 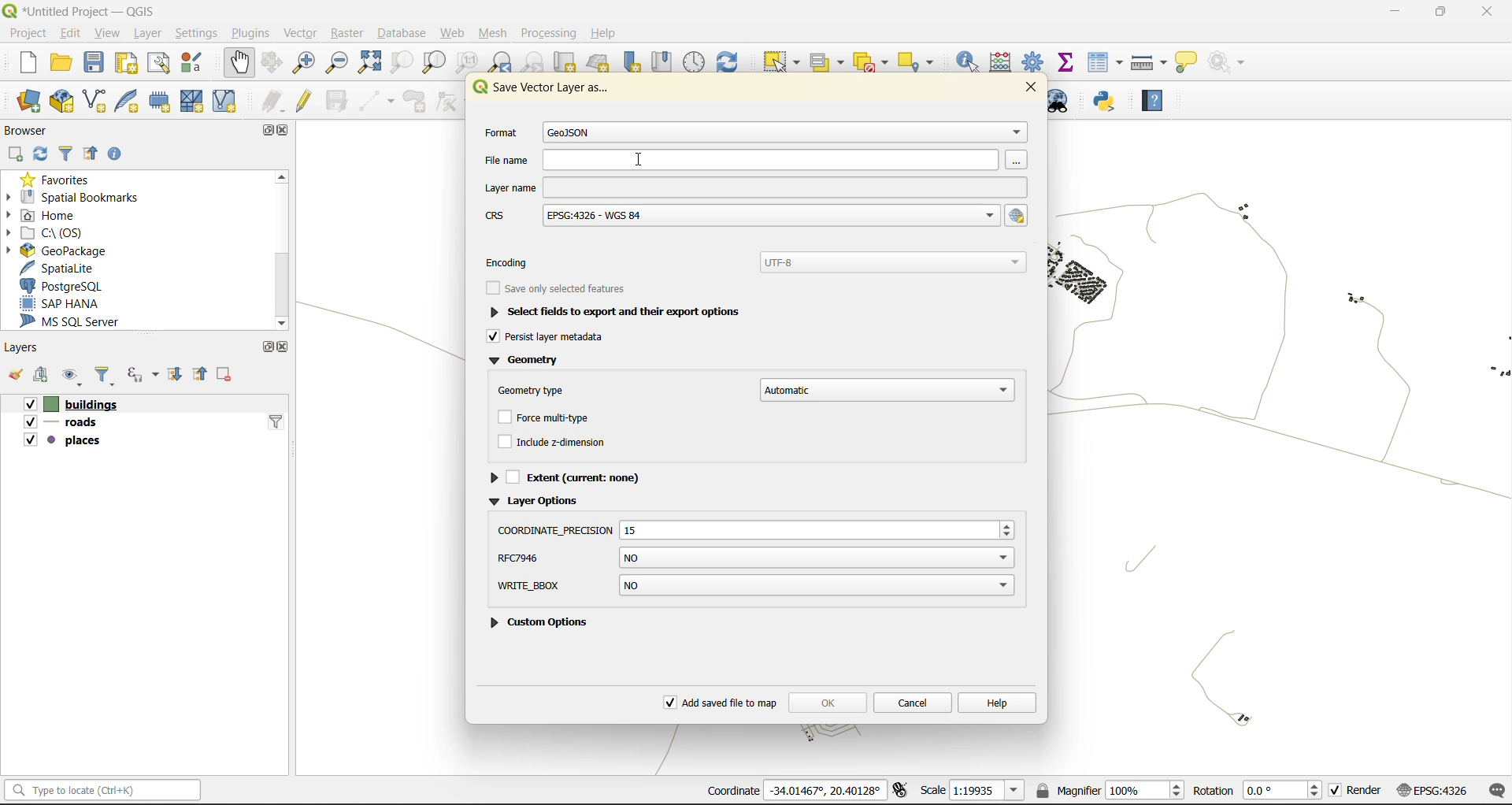 What do you see at coordinates (1005, 62) in the screenshot?
I see `calculator` at bounding box center [1005, 62].